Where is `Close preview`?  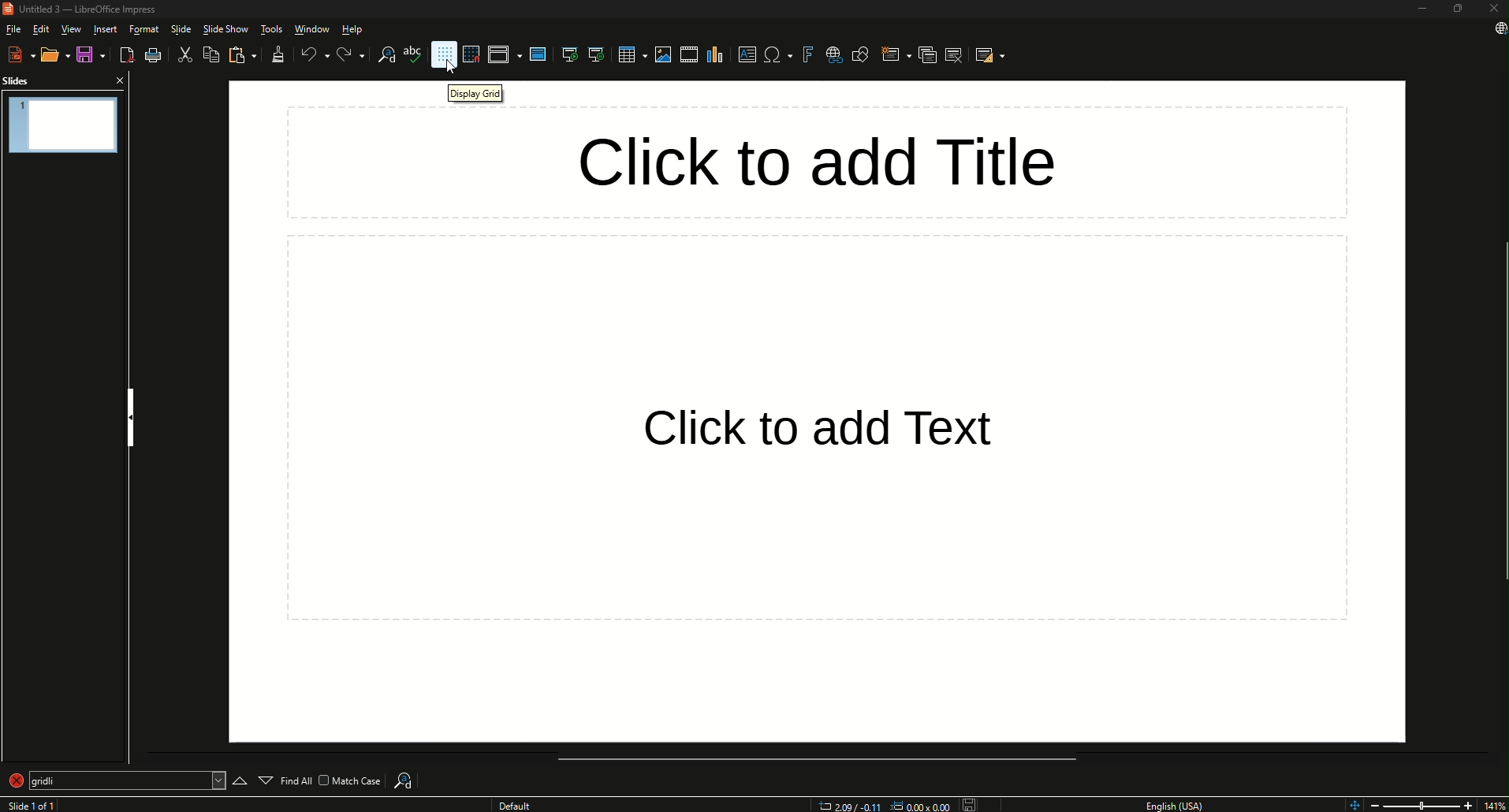 Close preview is located at coordinates (120, 81).